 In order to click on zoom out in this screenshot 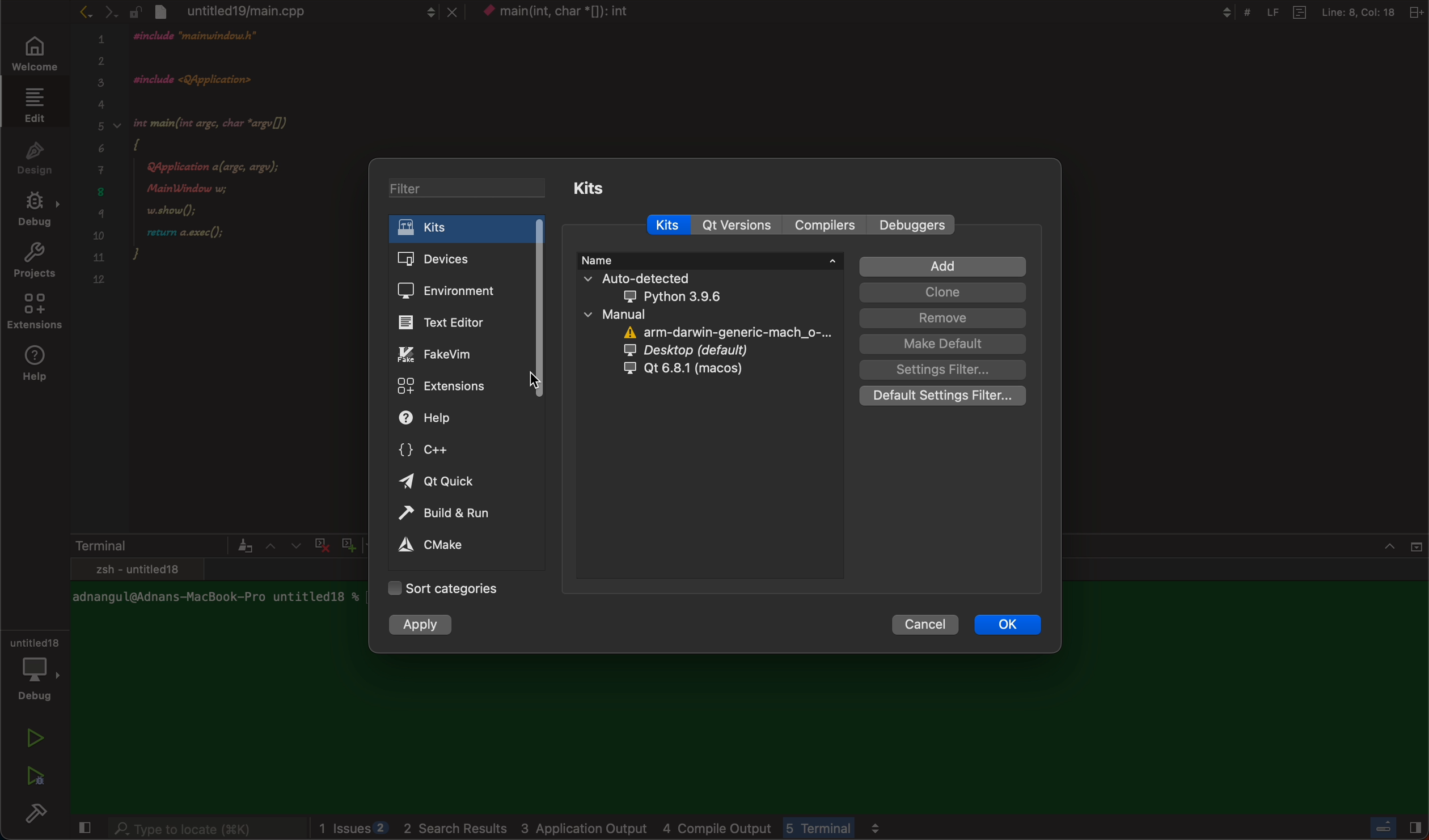, I will do `click(410, 545)`.